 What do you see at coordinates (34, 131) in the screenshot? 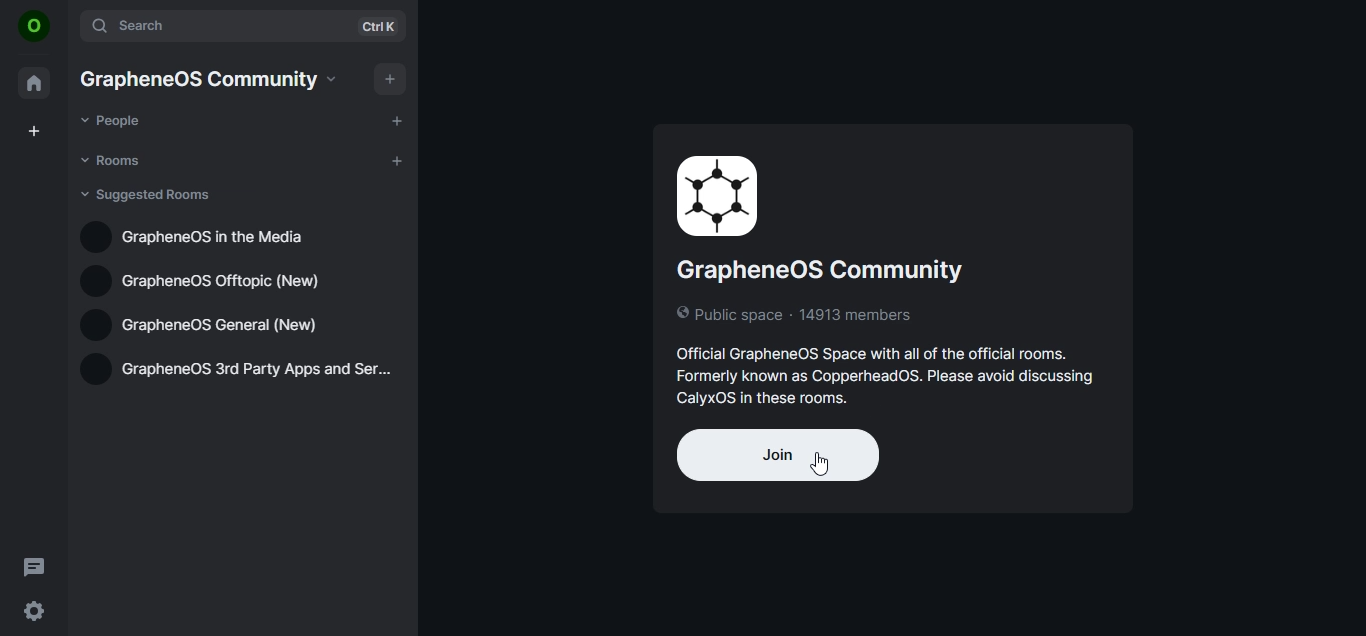
I see `create a space` at bounding box center [34, 131].